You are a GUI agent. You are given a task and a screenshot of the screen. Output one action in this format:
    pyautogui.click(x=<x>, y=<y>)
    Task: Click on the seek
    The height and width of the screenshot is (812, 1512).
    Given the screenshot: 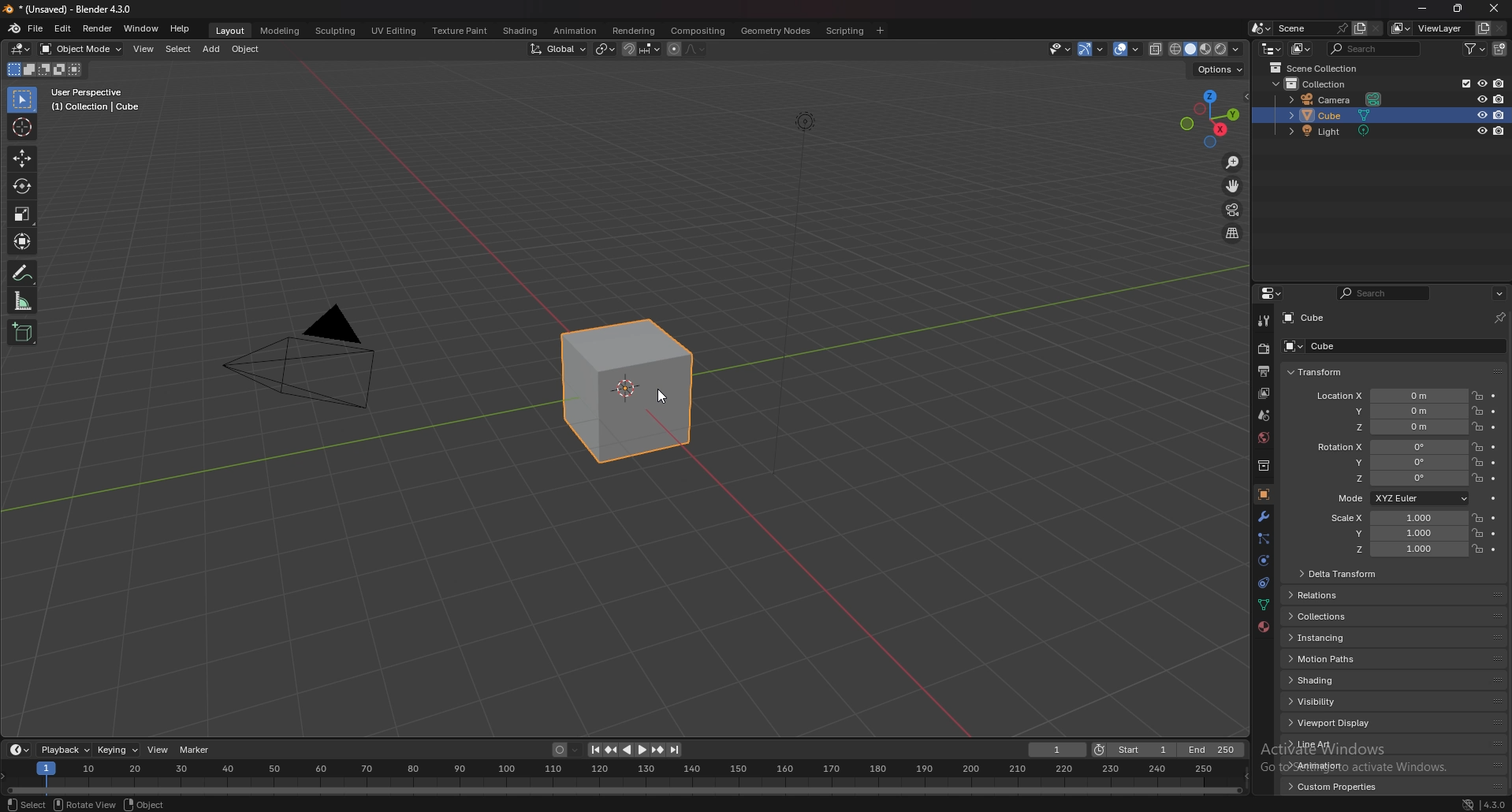 What is the action you would take?
    pyautogui.click(x=628, y=778)
    